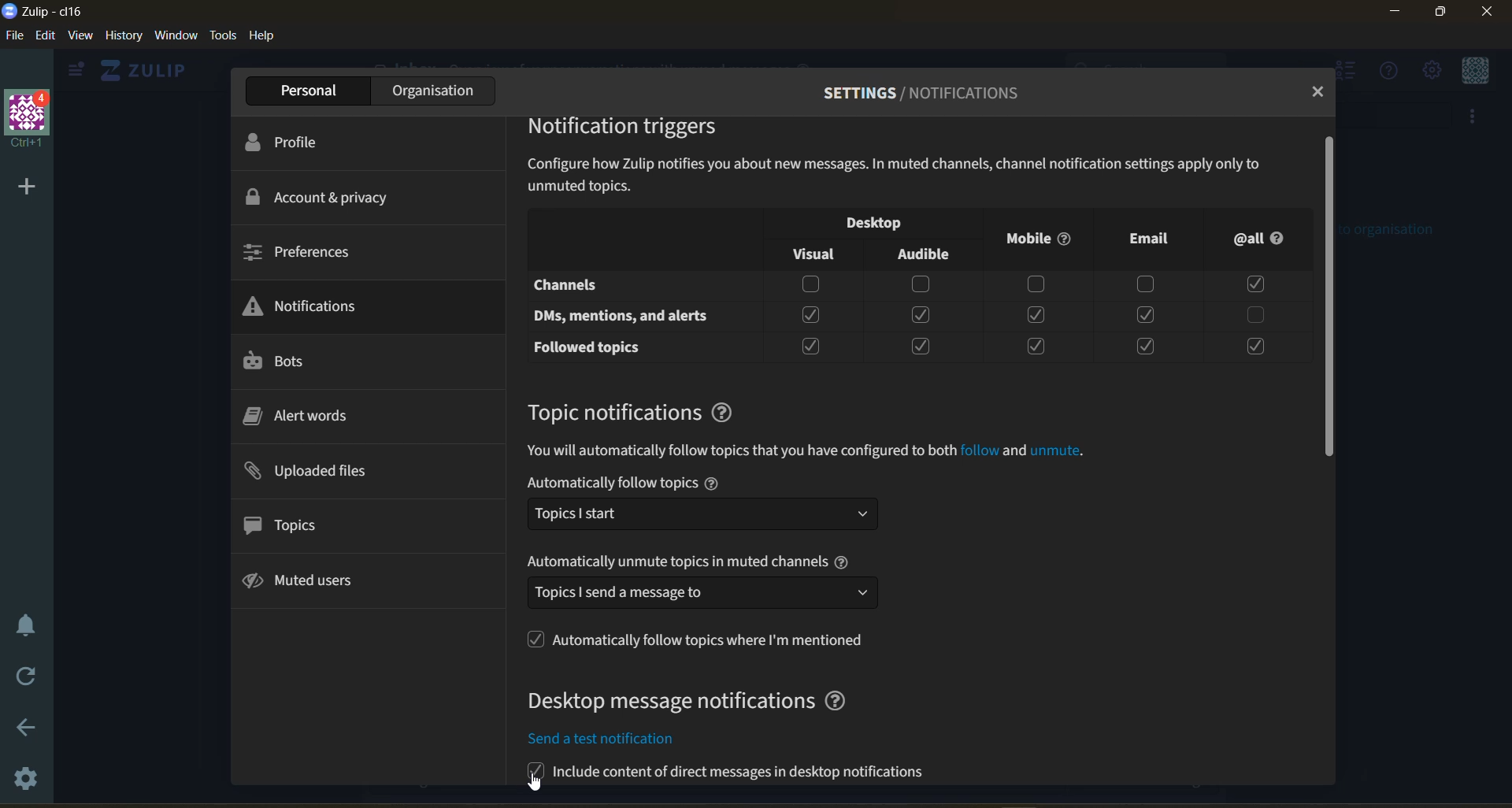 This screenshot has height=808, width=1512. What do you see at coordinates (291, 523) in the screenshot?
I see `topics` at bounding box center [291, 523].